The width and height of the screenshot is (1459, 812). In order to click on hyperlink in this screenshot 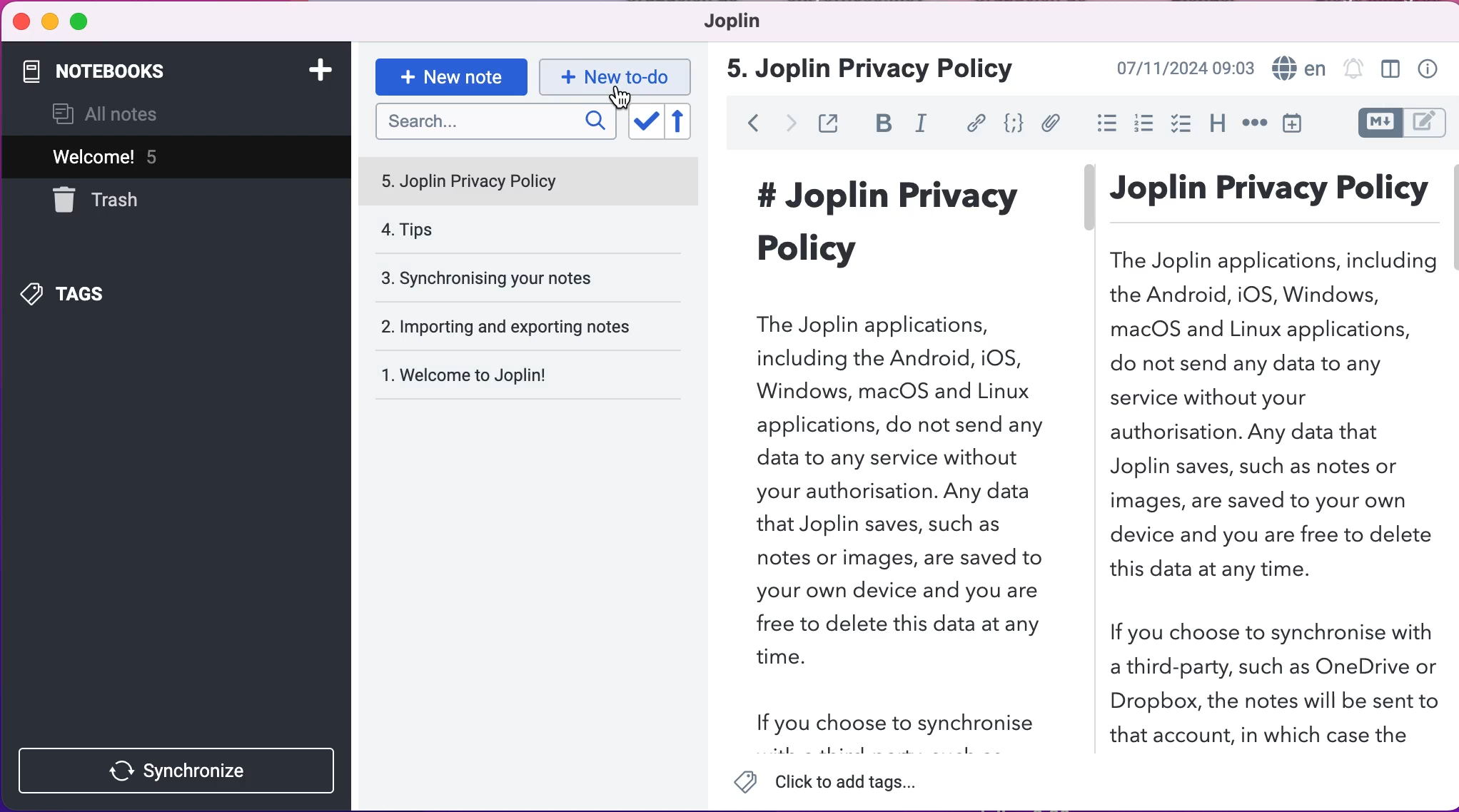, I will do `click(976, 123)`.